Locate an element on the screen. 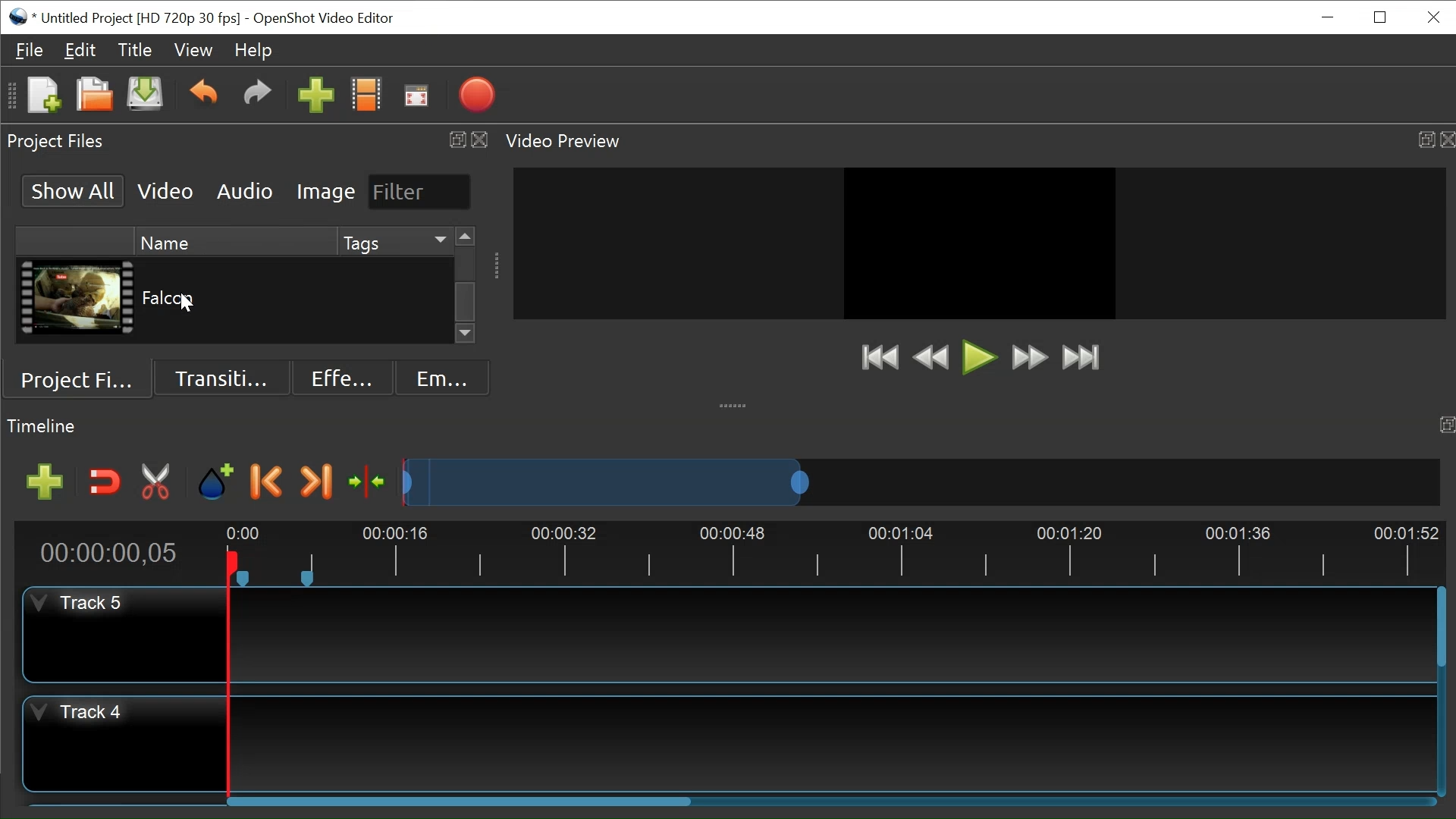 Image resolution: width=1456 pixels, height=819 pixels. minimize is located at coordinates (1329, 17).